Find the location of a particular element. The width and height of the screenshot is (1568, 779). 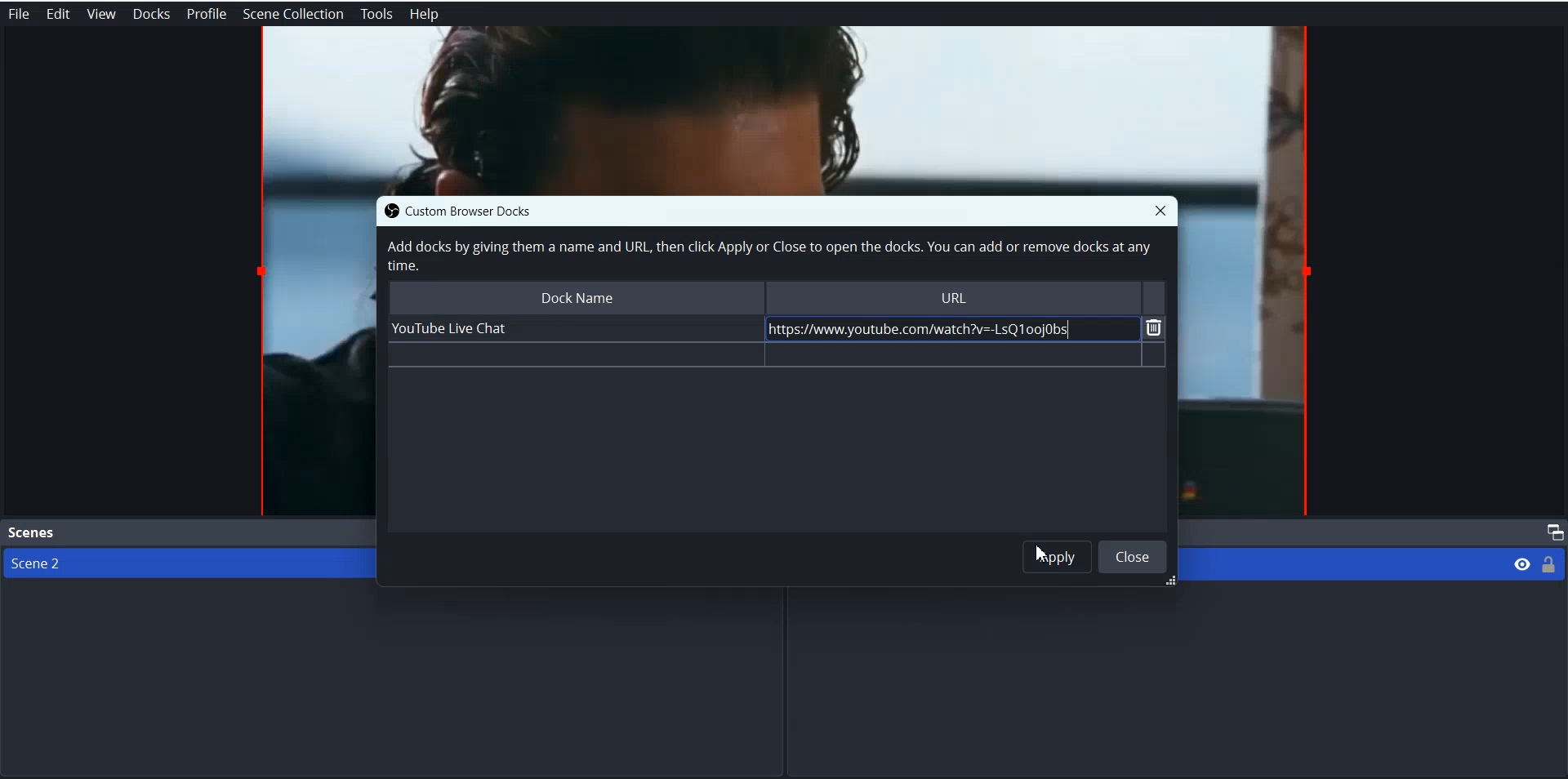

Edit is located at coordinates (57, 14).